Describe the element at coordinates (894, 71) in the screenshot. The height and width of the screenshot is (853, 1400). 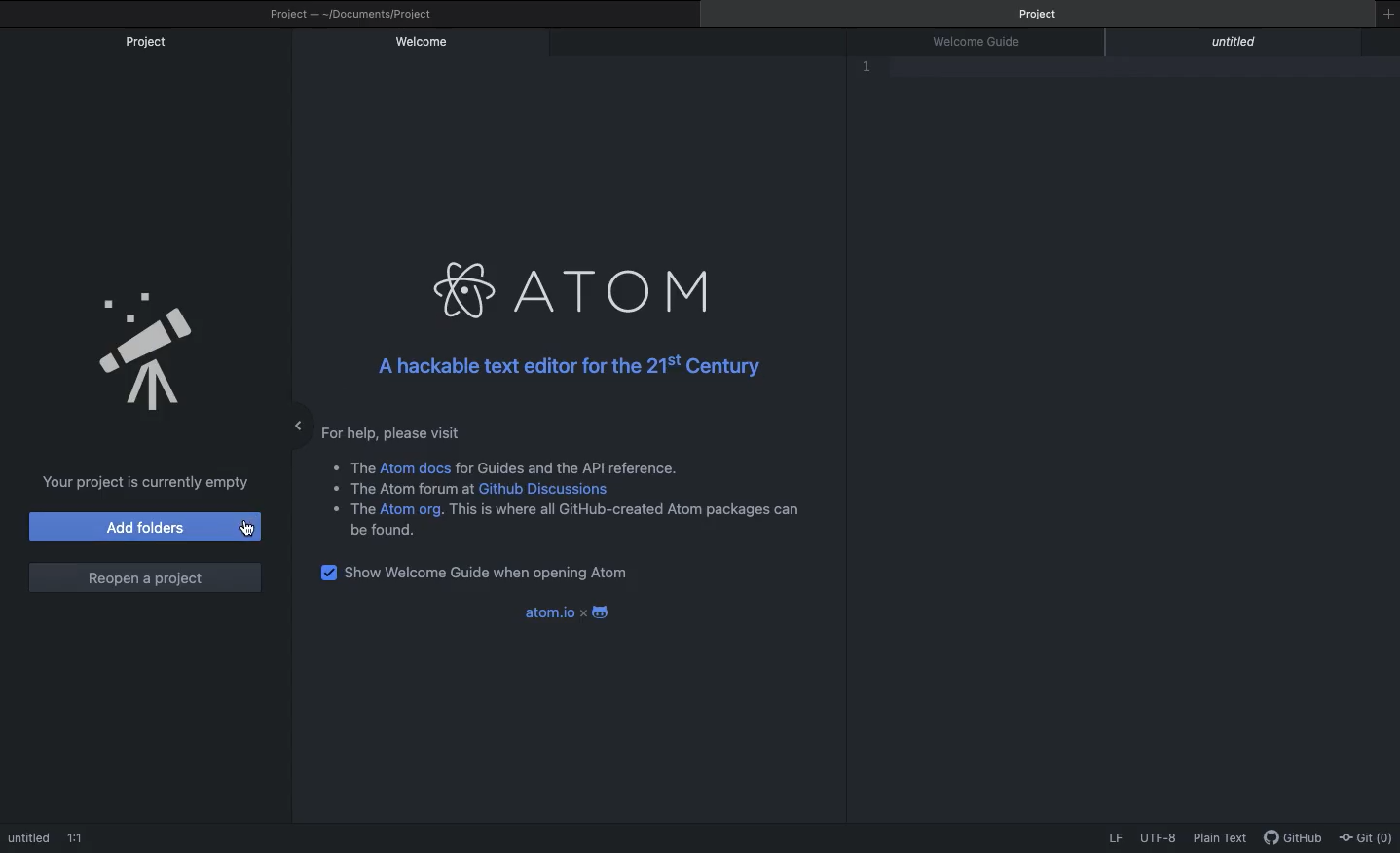
I see `Editor` at that location.